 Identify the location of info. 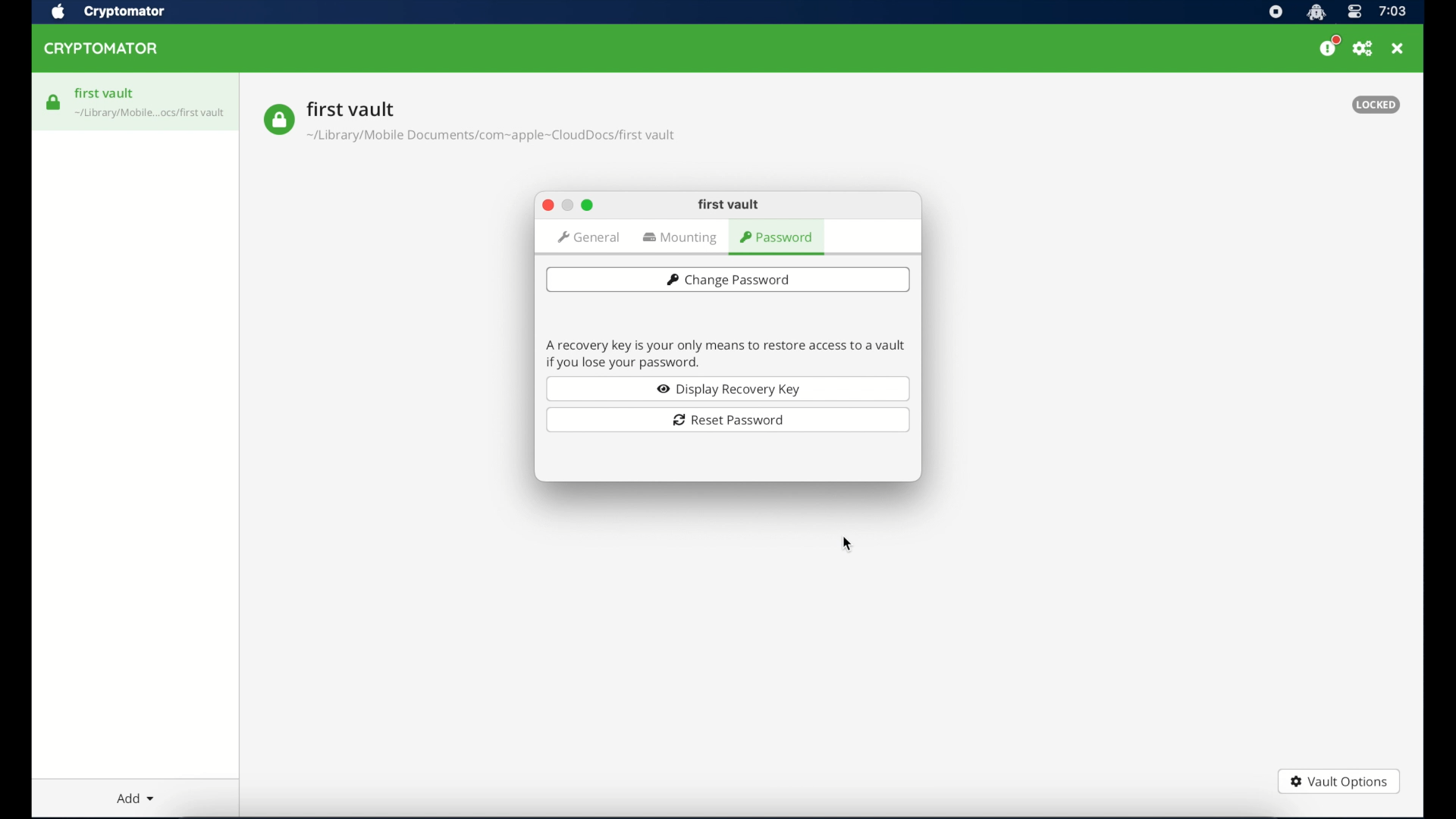
(726, 353).